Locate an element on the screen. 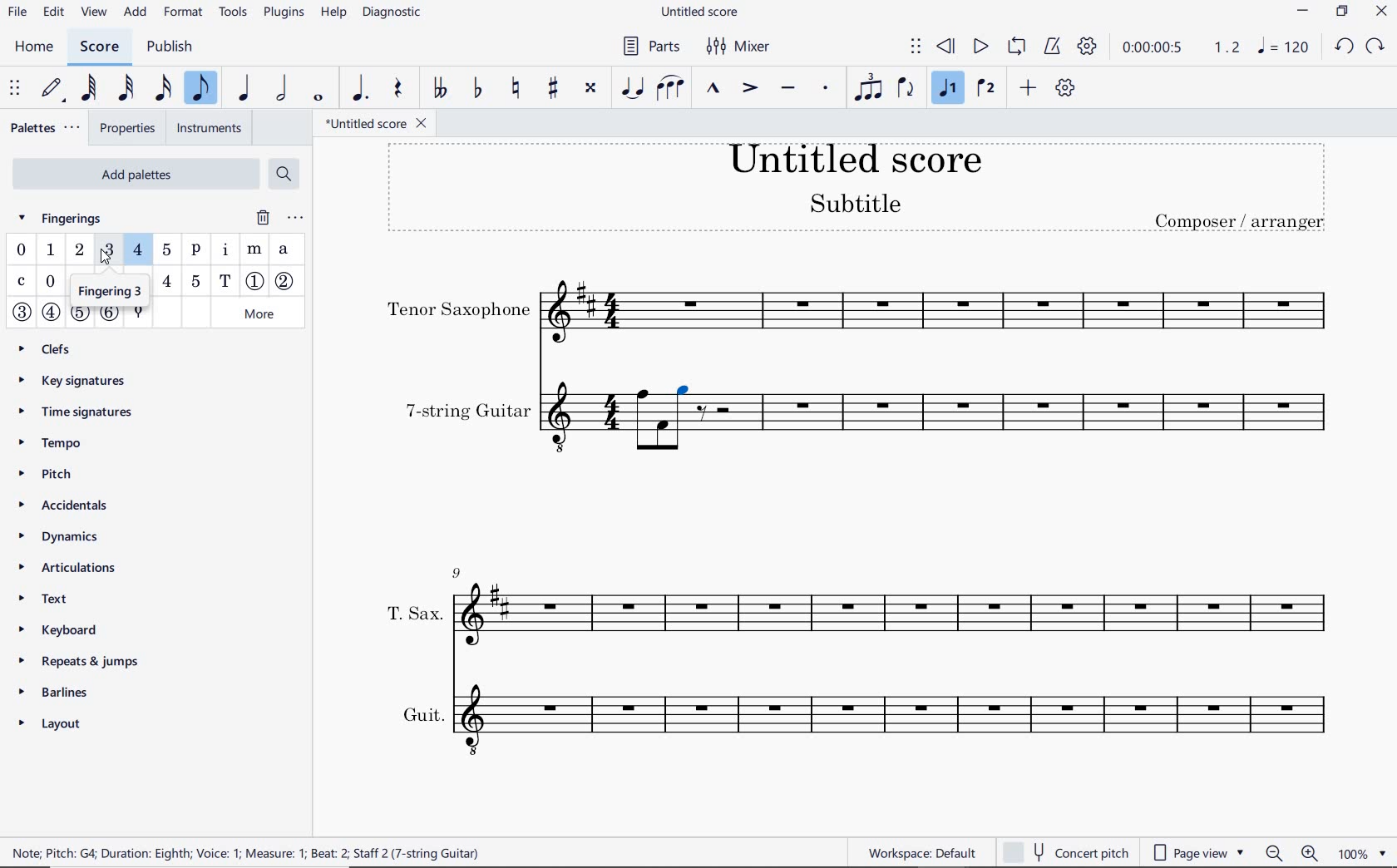 This screenshot has width=1397, height=868. ZOOM FACTOR is located at coordinates (1365, 852).